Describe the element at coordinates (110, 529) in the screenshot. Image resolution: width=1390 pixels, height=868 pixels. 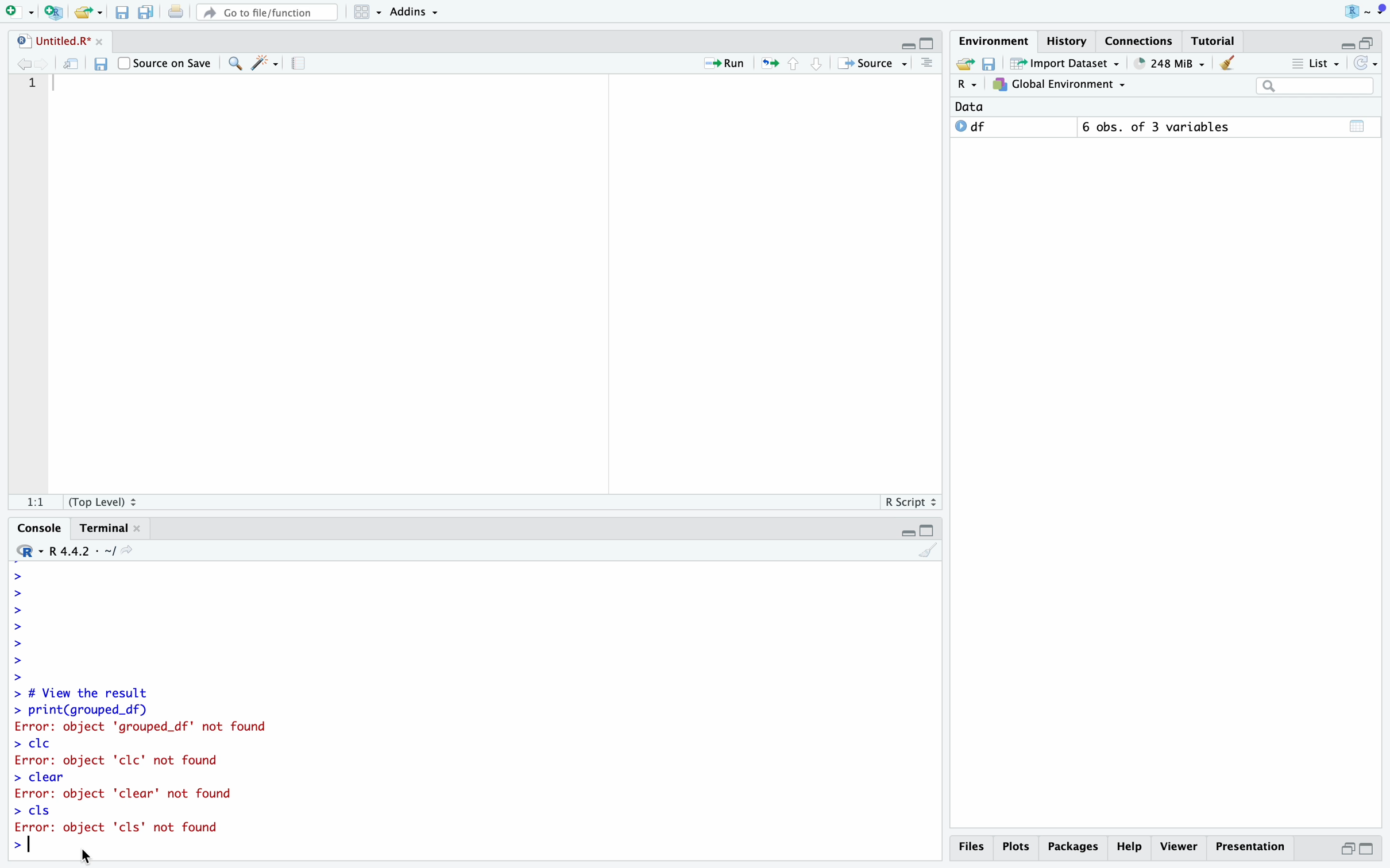
I see `Terminal` at that location.